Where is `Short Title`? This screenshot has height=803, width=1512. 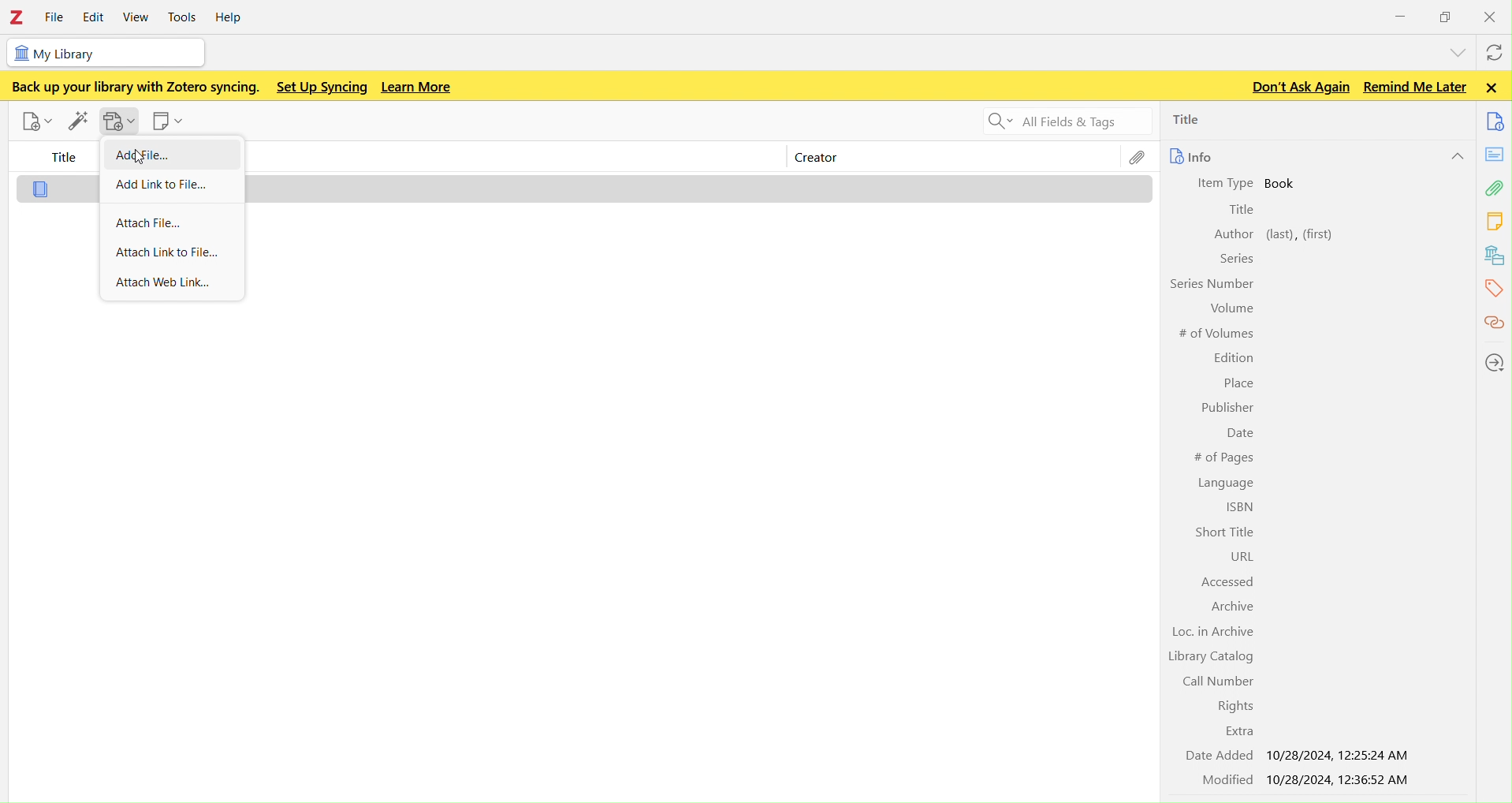
Short Title is located at coordinates (1219, 530).